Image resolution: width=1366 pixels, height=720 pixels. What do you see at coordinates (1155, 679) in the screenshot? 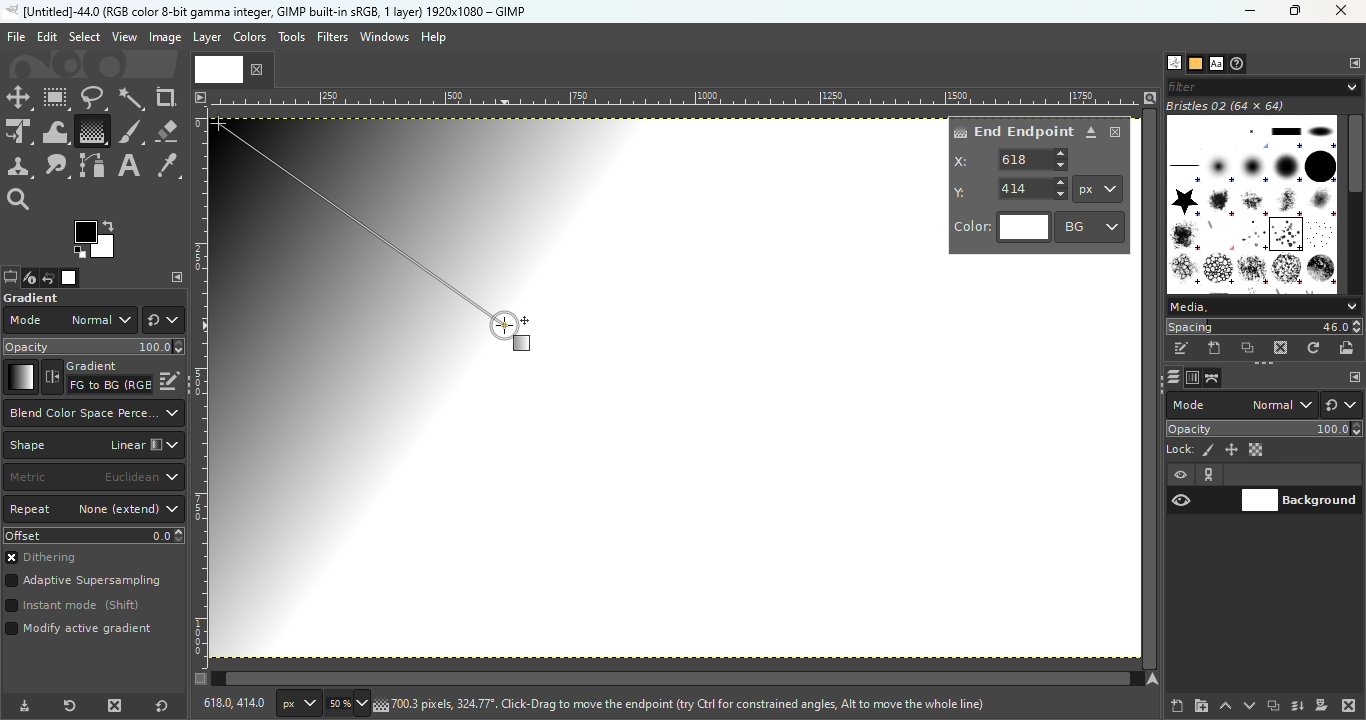
I see `Navigate` at bounding box center [1155, 679].